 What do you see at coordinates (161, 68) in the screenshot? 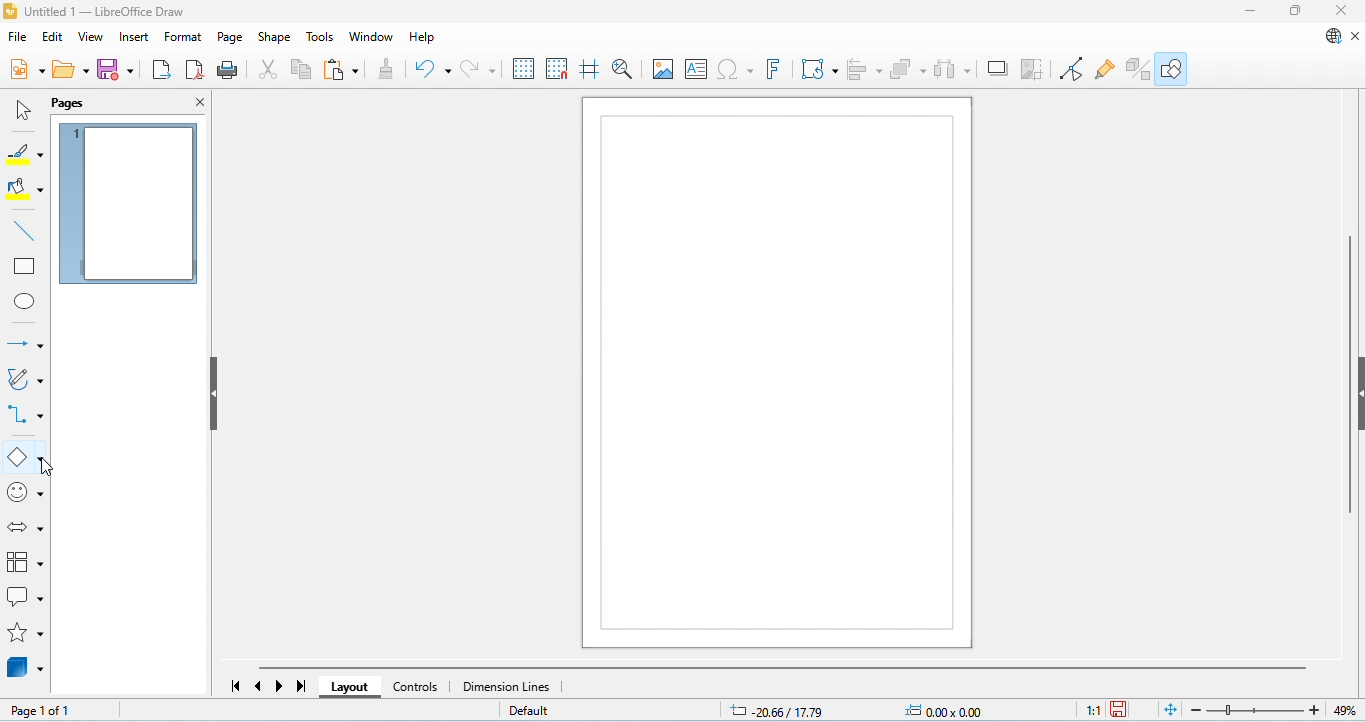
I see `export` at bounding box center [161, 68].